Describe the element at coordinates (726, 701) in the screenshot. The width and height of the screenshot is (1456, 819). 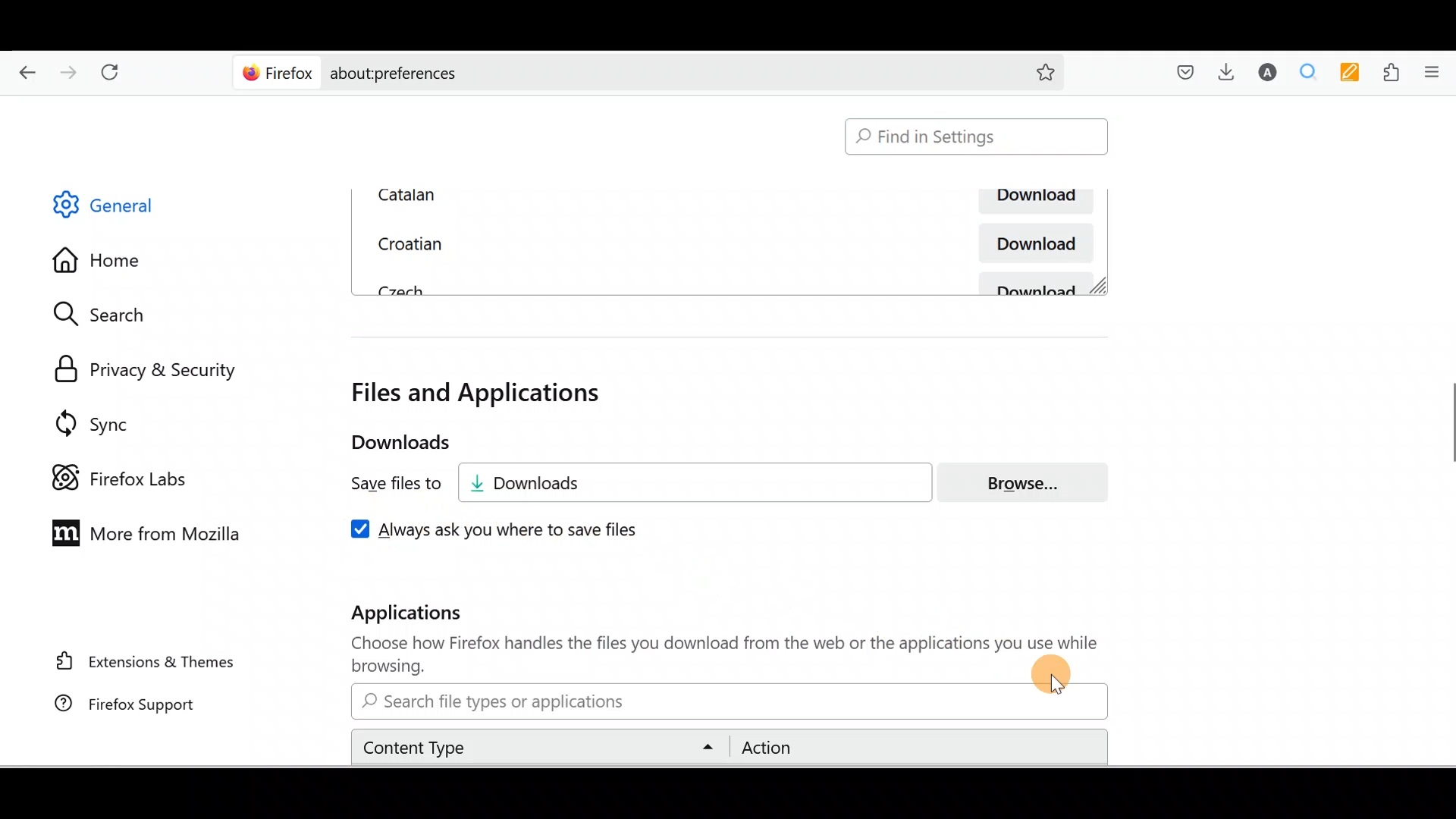
I see `Search bar` at that location.